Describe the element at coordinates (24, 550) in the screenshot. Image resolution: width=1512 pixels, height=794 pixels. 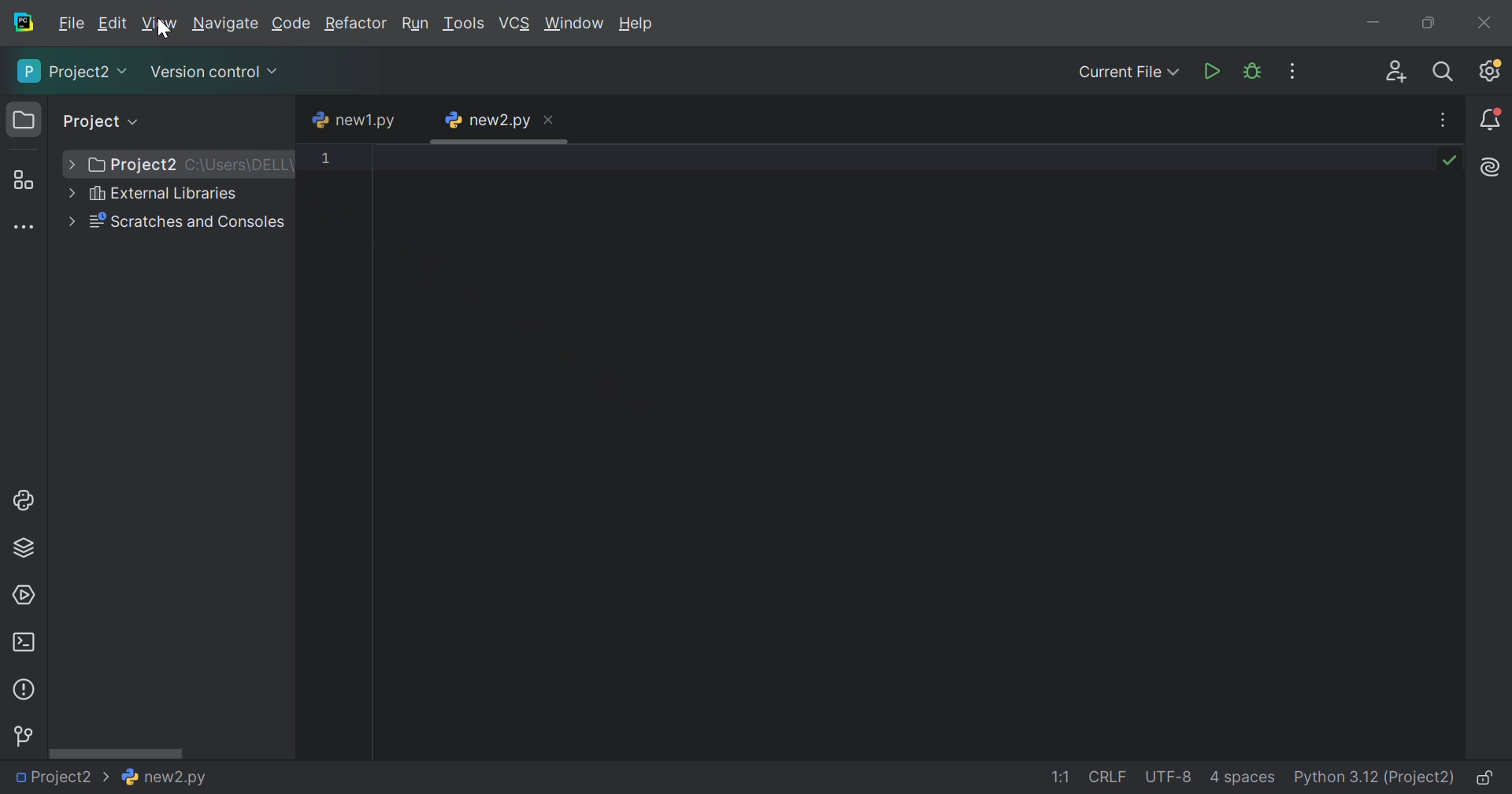
I see `Python Packages` at that location.